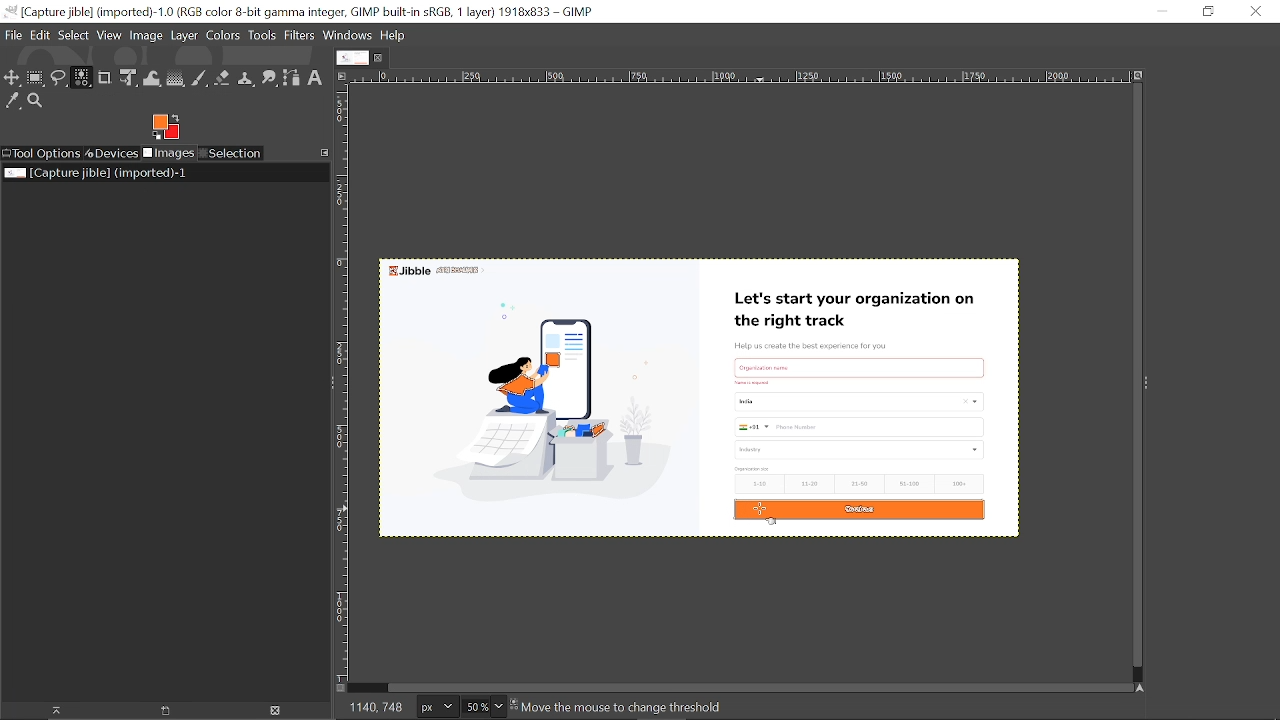 The height and width of the screenshot is (720, 1280). What do you see at coordinates (163, 711) in the screenshot?
I see `new display for this image ` at bounding box center [163, 711].